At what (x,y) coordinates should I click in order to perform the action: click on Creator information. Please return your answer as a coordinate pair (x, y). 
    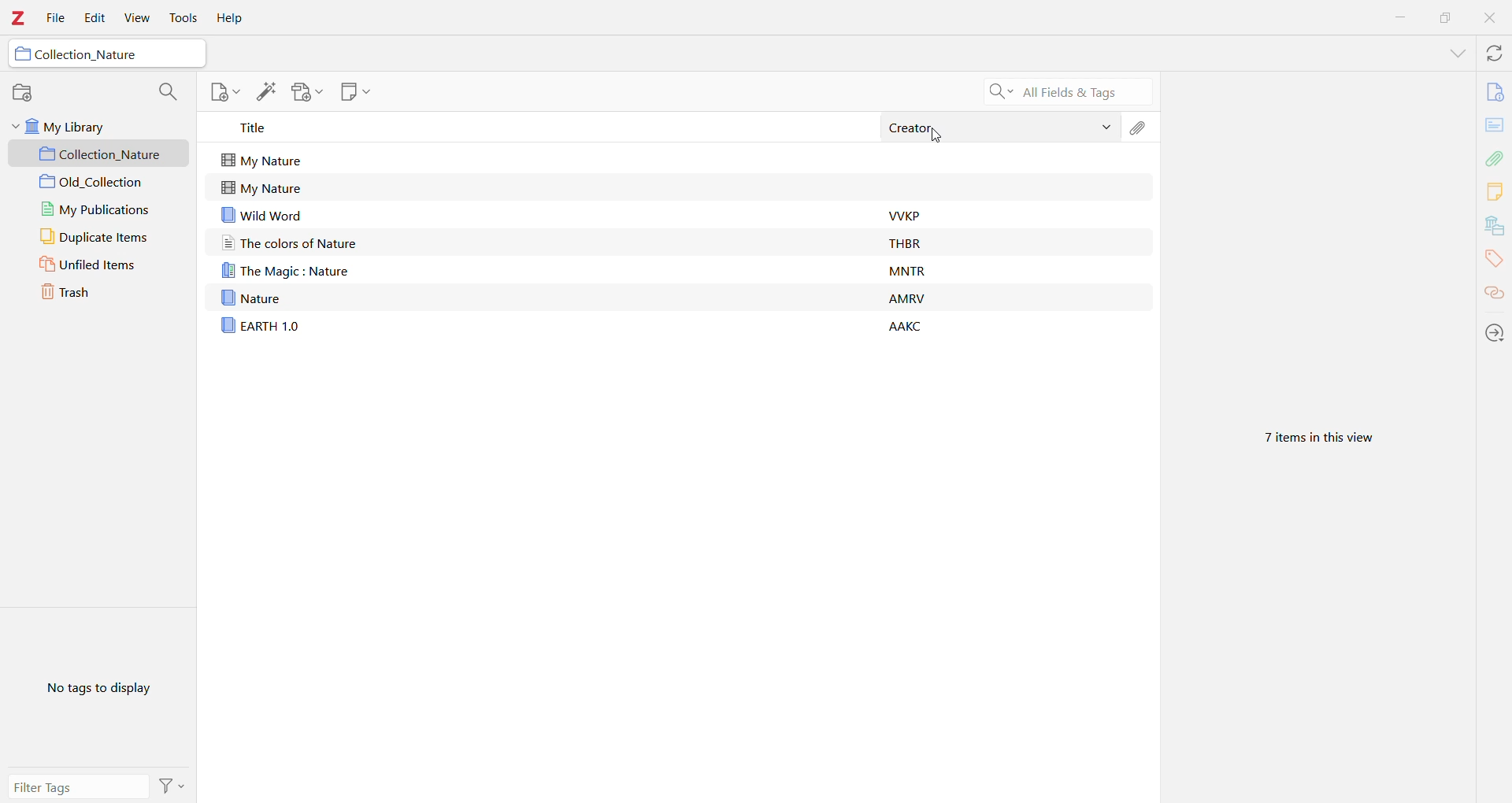
    Looking at the image, I should click on (912, 213).